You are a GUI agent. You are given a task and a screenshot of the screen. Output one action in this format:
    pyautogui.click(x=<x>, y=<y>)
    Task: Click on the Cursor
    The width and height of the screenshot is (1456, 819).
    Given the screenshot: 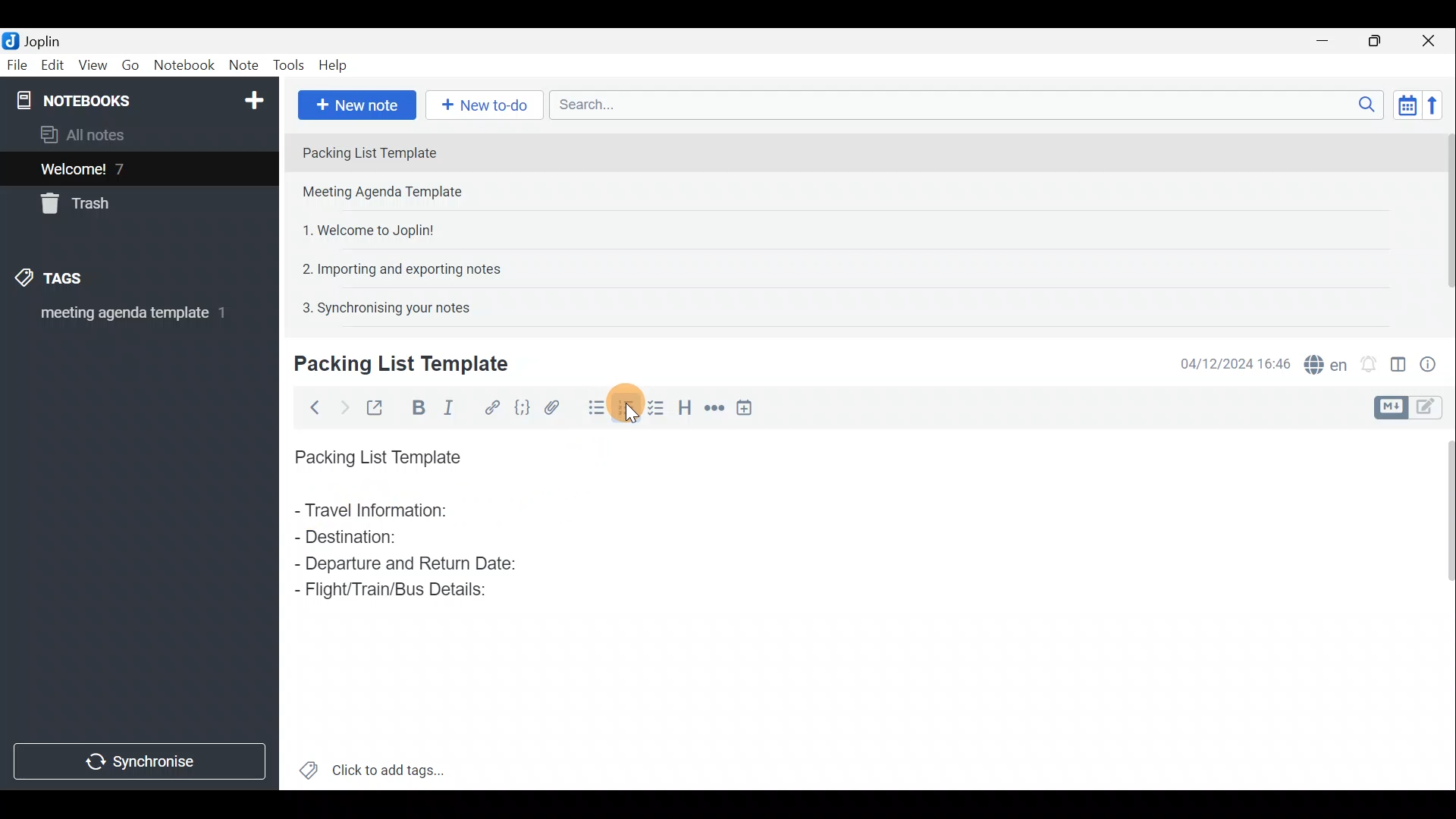 What is the action you would take?
    pyautogui.click(x=629, y=413)
    